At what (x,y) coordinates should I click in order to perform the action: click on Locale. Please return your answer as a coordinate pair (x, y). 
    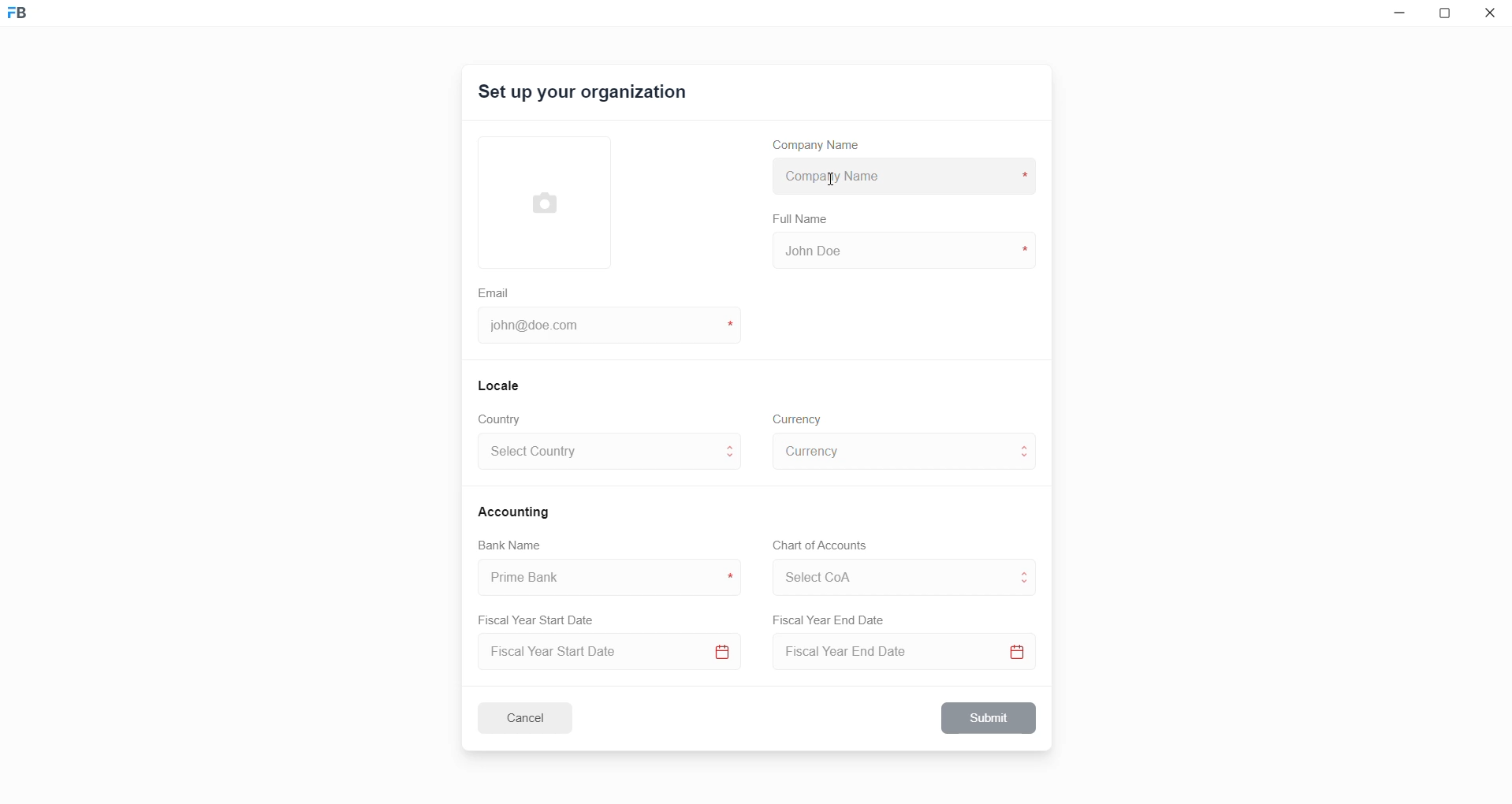
    Looking at the image, I should click on (500, 385).